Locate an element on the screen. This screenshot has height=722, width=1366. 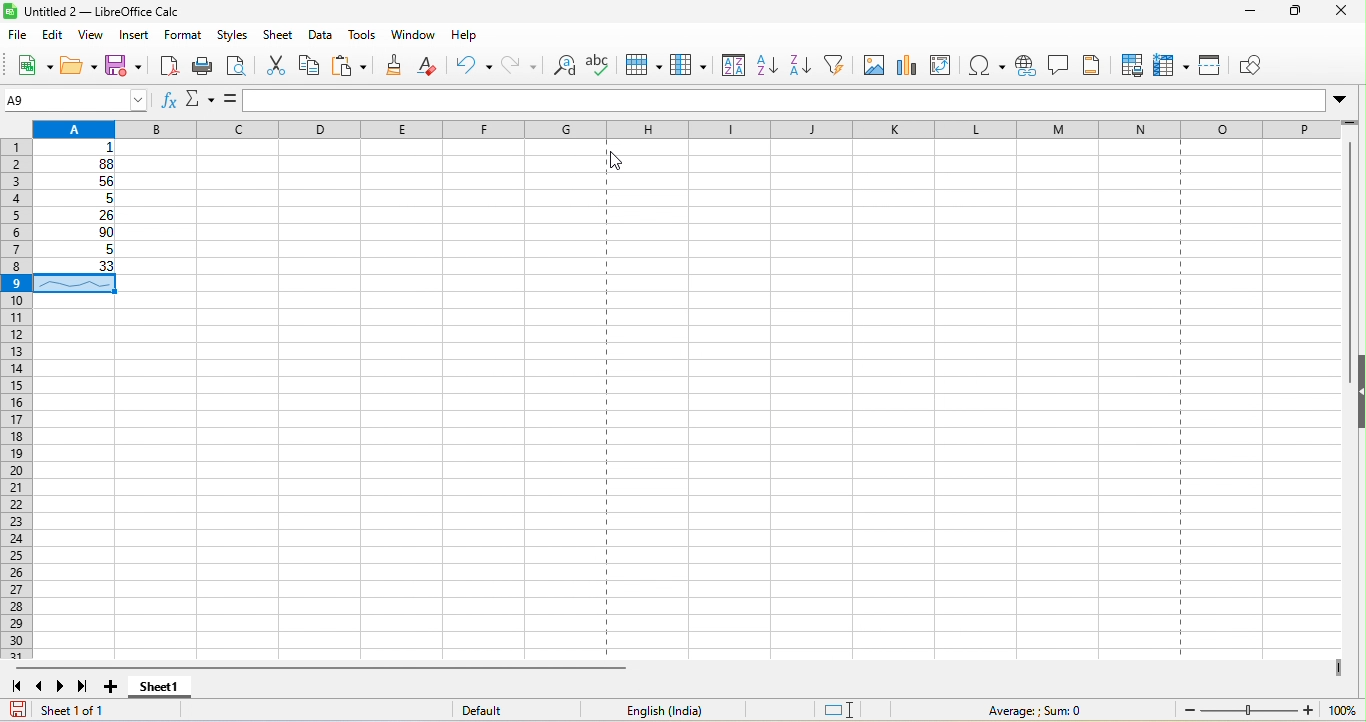
sheet 1 is located at coordinates (176, 689).